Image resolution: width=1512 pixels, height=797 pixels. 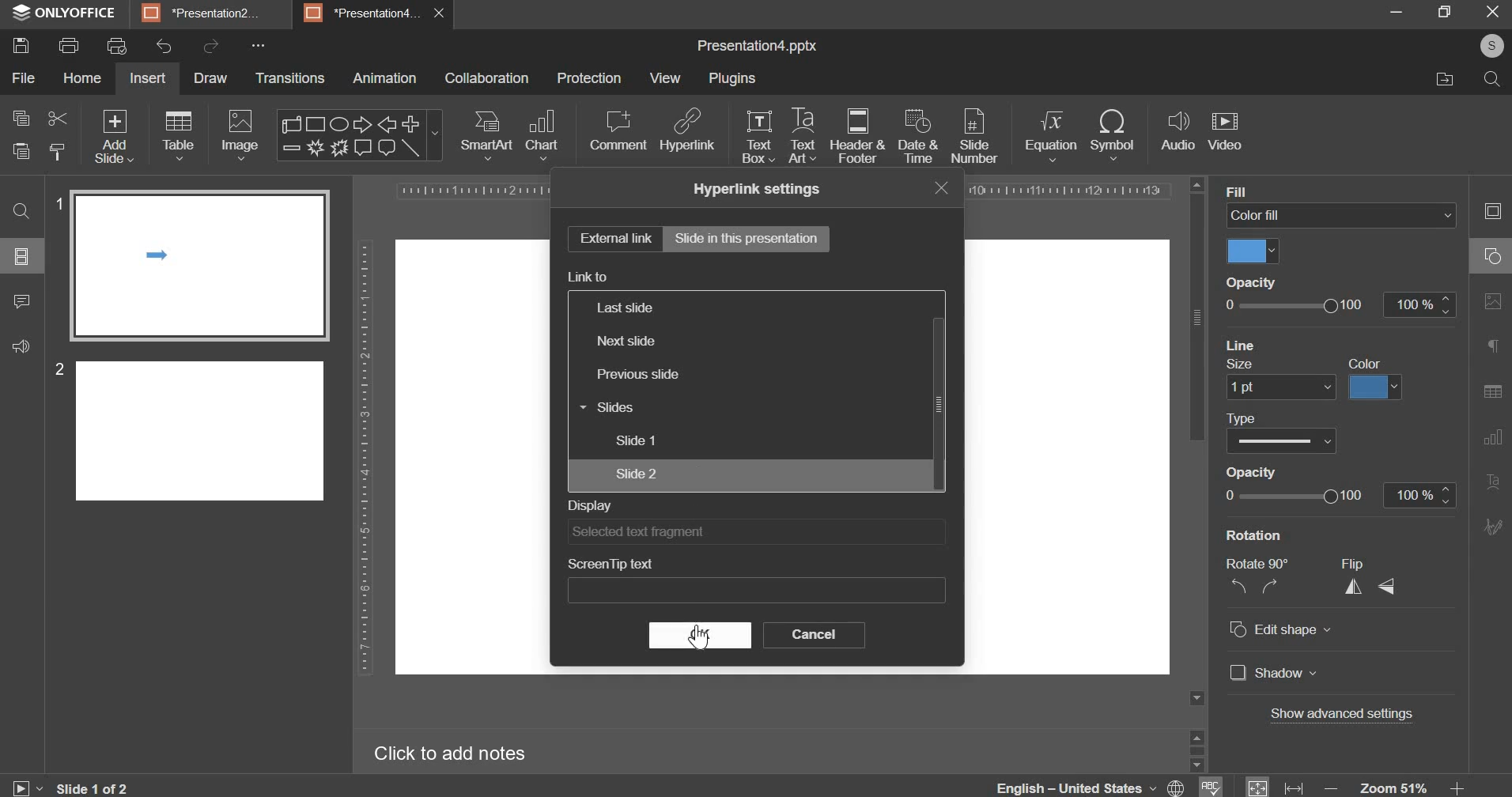 I want to click on hyperlink, so click(x=687, y=132).